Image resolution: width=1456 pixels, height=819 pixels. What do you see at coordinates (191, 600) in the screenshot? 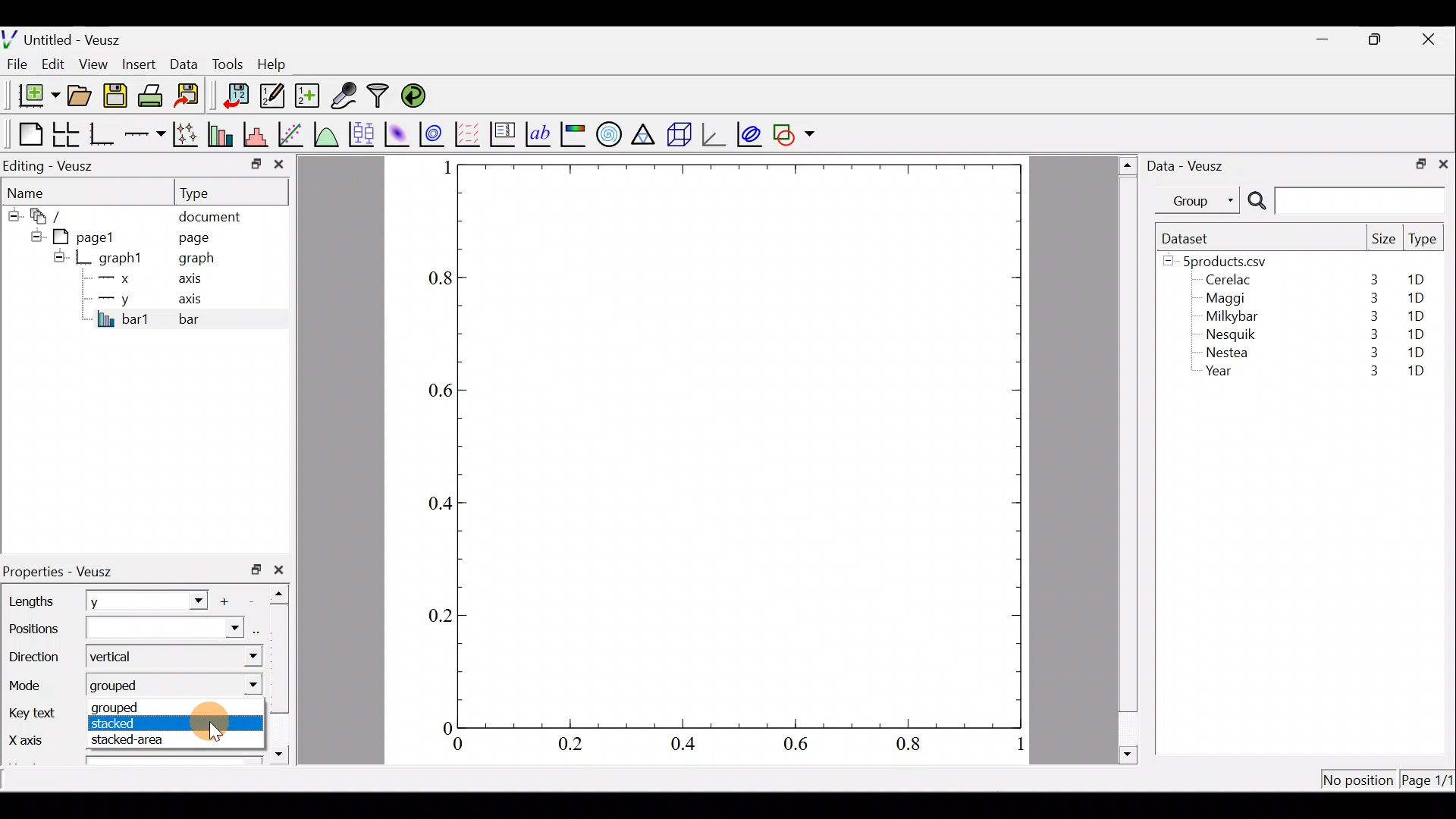
I see `Length dropdown` at bounding box center [191, 600].